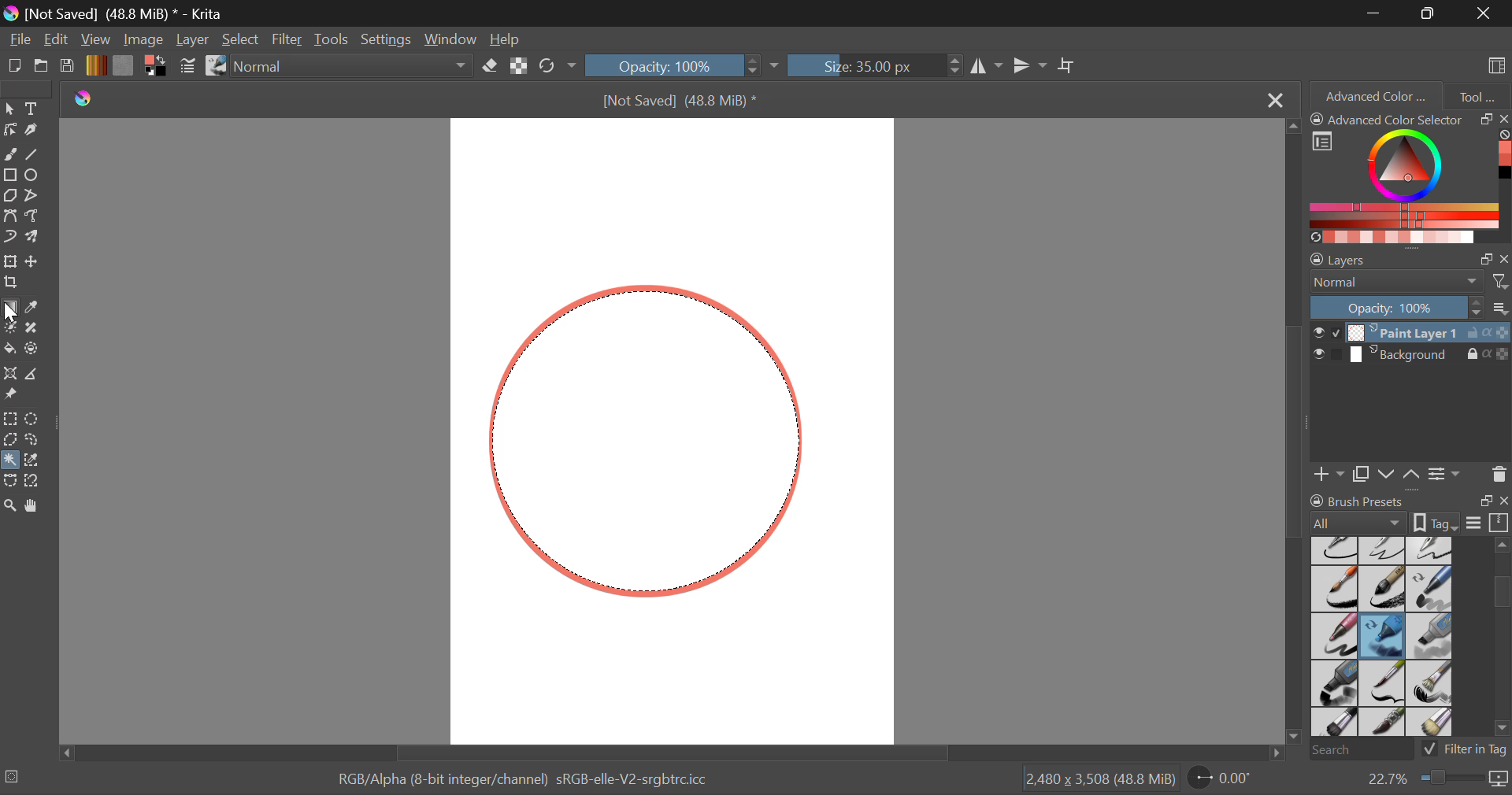  I want to click on Shape Selected, so click(646, 442).